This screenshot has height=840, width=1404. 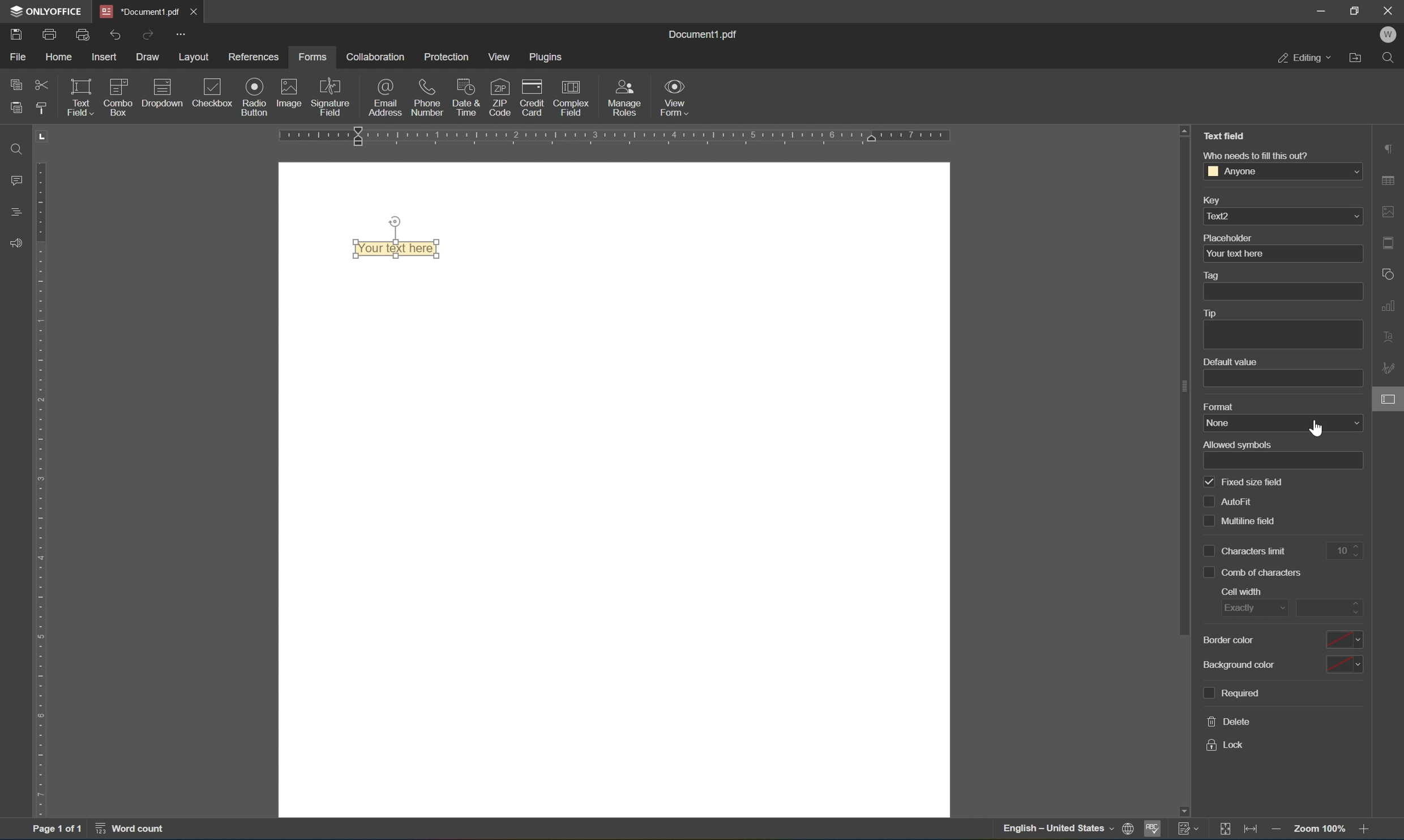 What do you see at coordinates (533, 96) in the screenshot?
I see `credit card` at bounding box center [533, 96].